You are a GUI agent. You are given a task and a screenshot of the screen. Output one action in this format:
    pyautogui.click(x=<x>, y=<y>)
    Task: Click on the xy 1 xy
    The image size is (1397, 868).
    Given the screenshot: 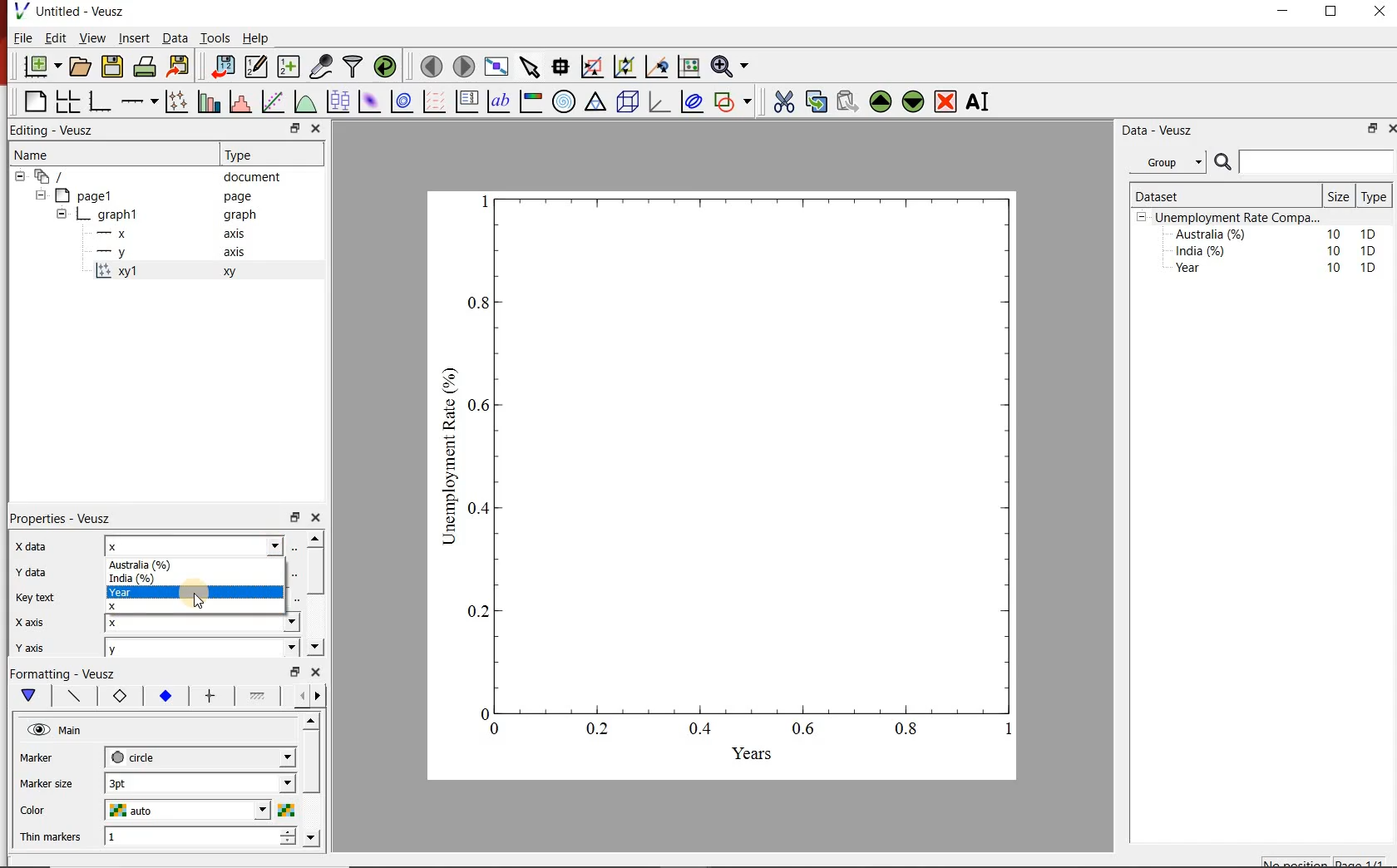 What is the action you would take?
    pyautogui.click(x=195, y=271)
    